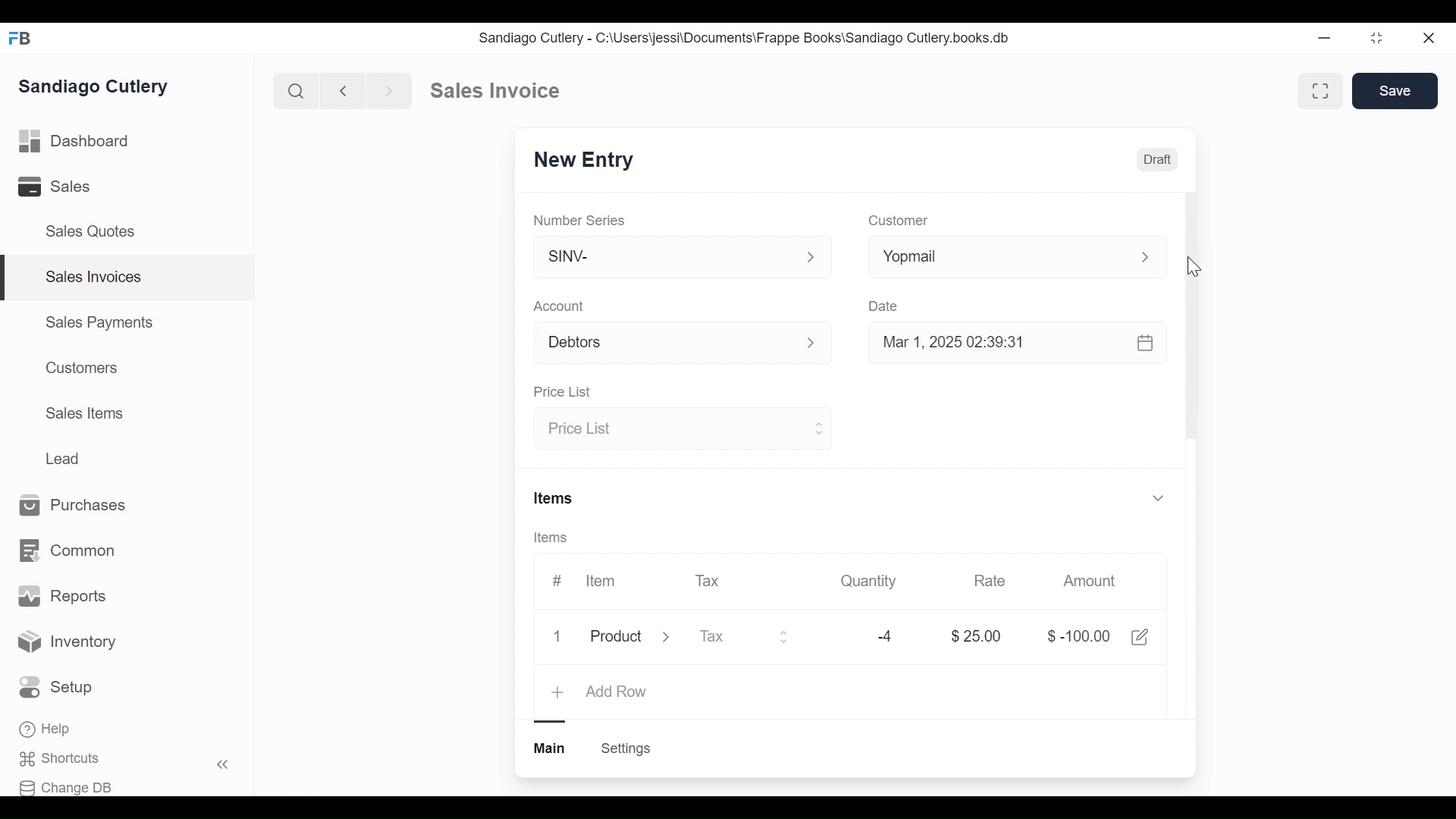 Image resolution: width=1456 pixels, height=819 pixels. What do you see at coordinates (871, 582) in the screenshot?
I see `Quantity` at bounding box center [871, 582].